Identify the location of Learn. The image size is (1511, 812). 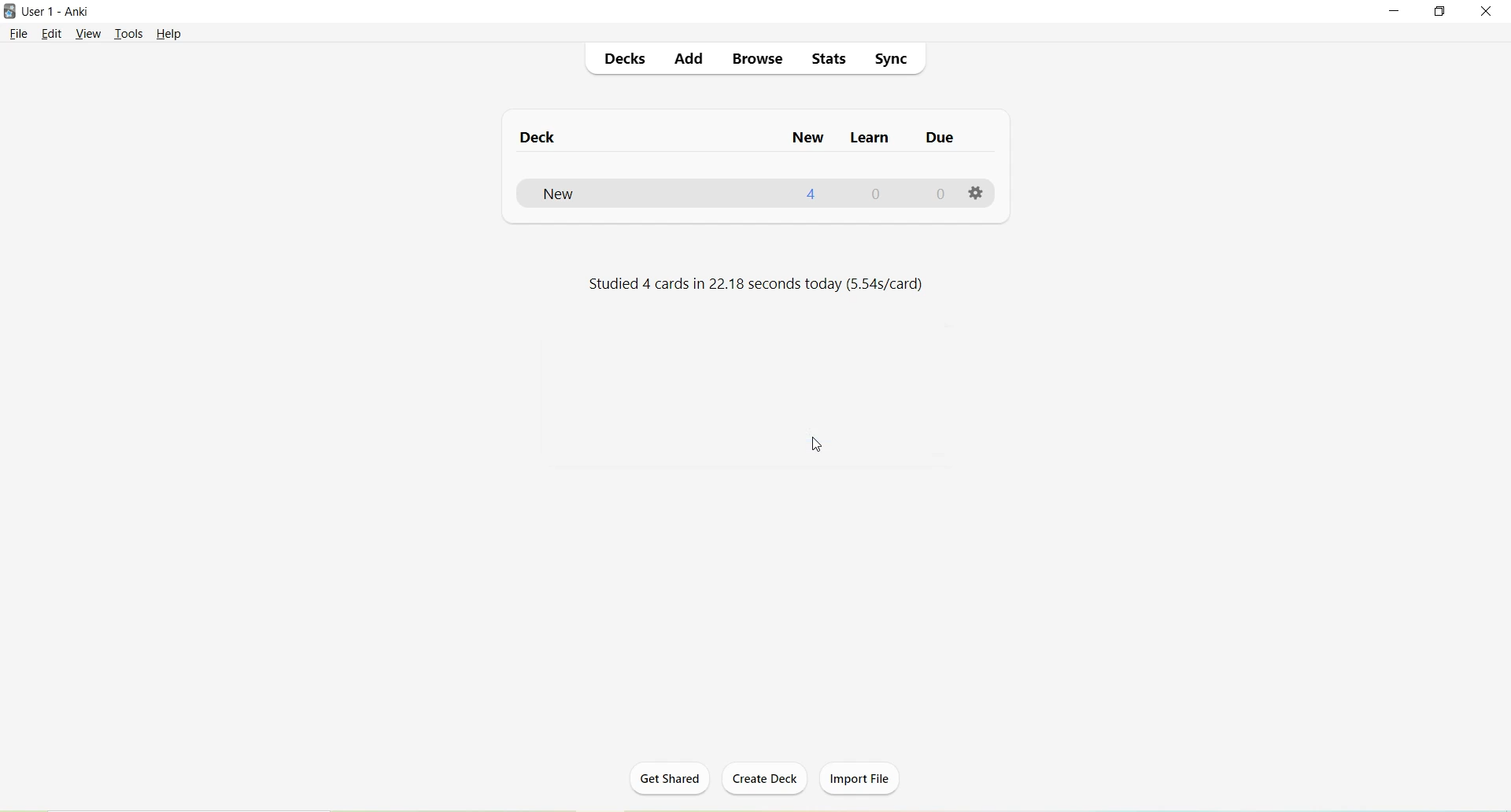
(866, 139).